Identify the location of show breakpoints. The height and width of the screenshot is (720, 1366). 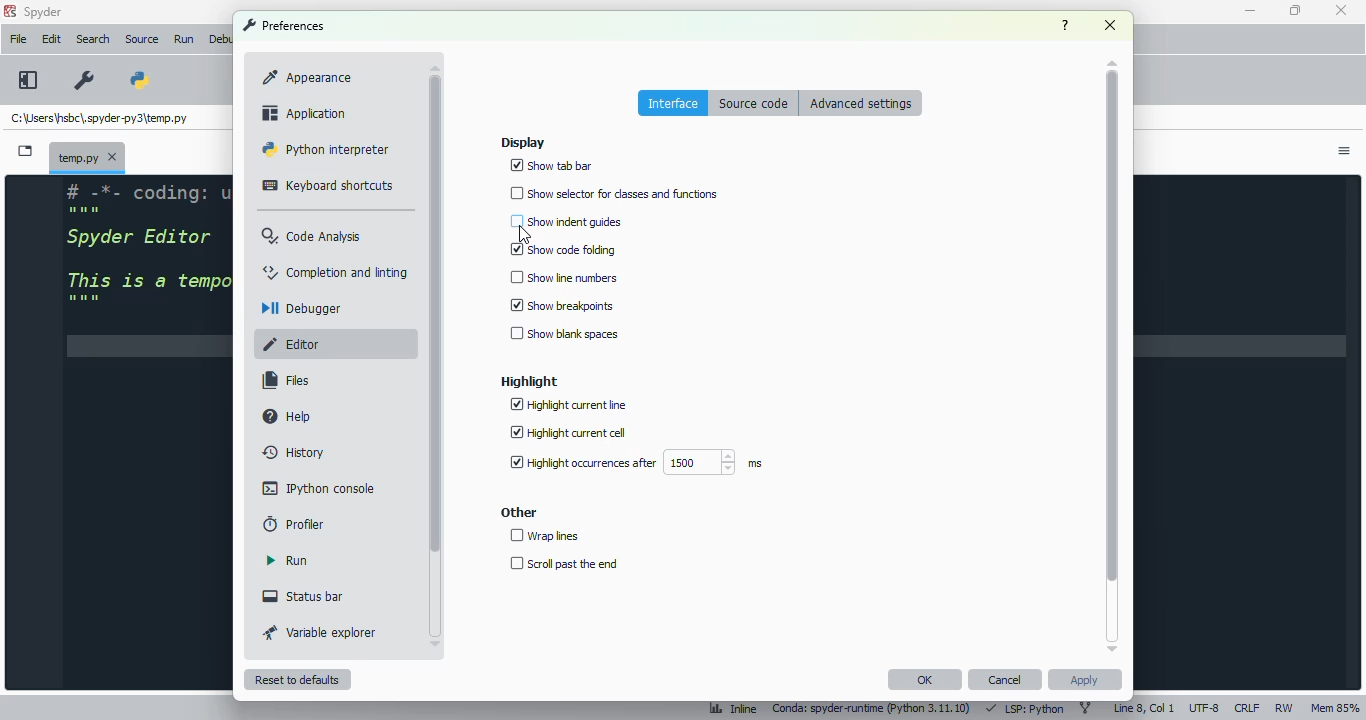
(561, 305).